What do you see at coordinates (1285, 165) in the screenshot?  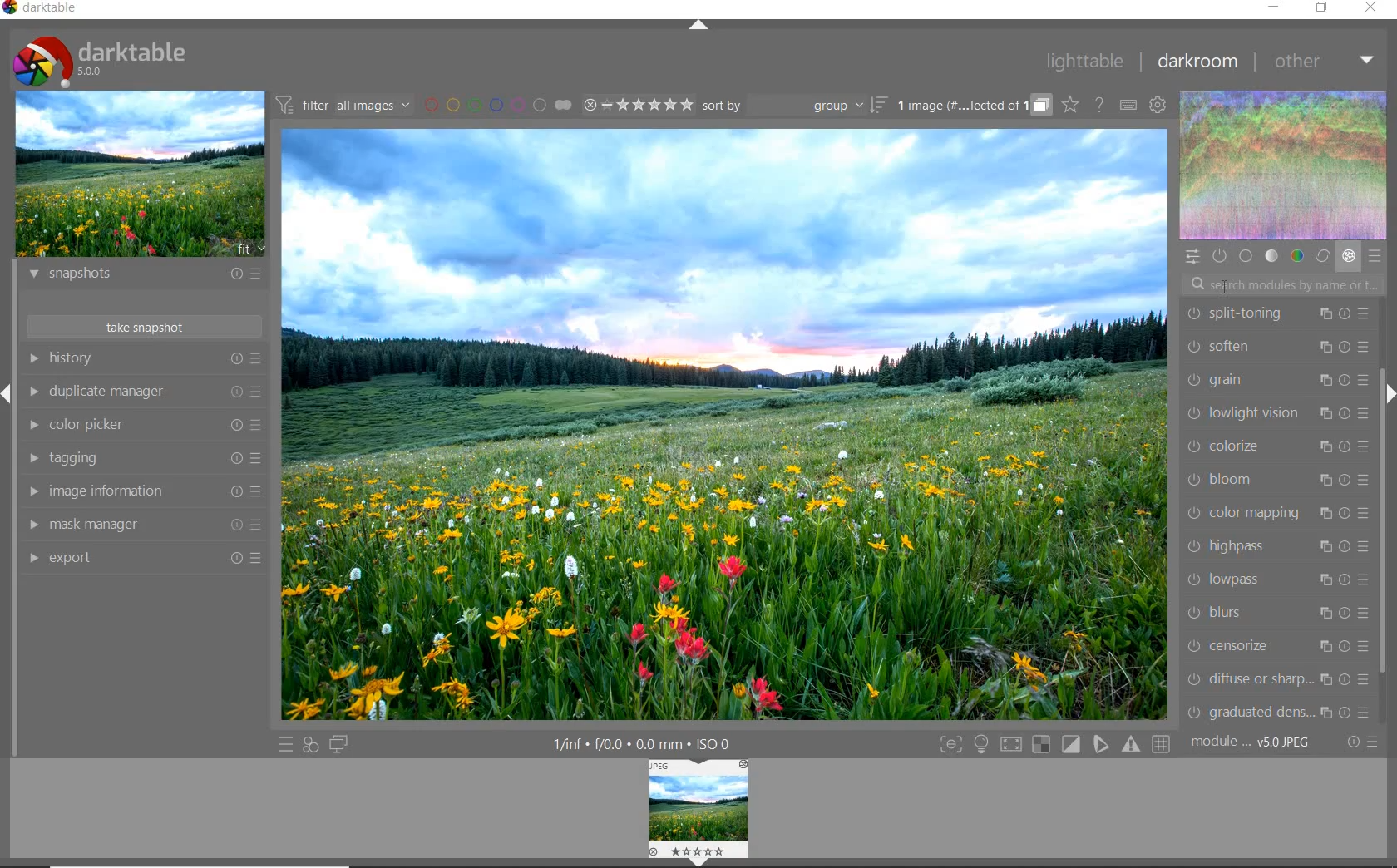 I see `waveform` at bounding box center [1285, 165].